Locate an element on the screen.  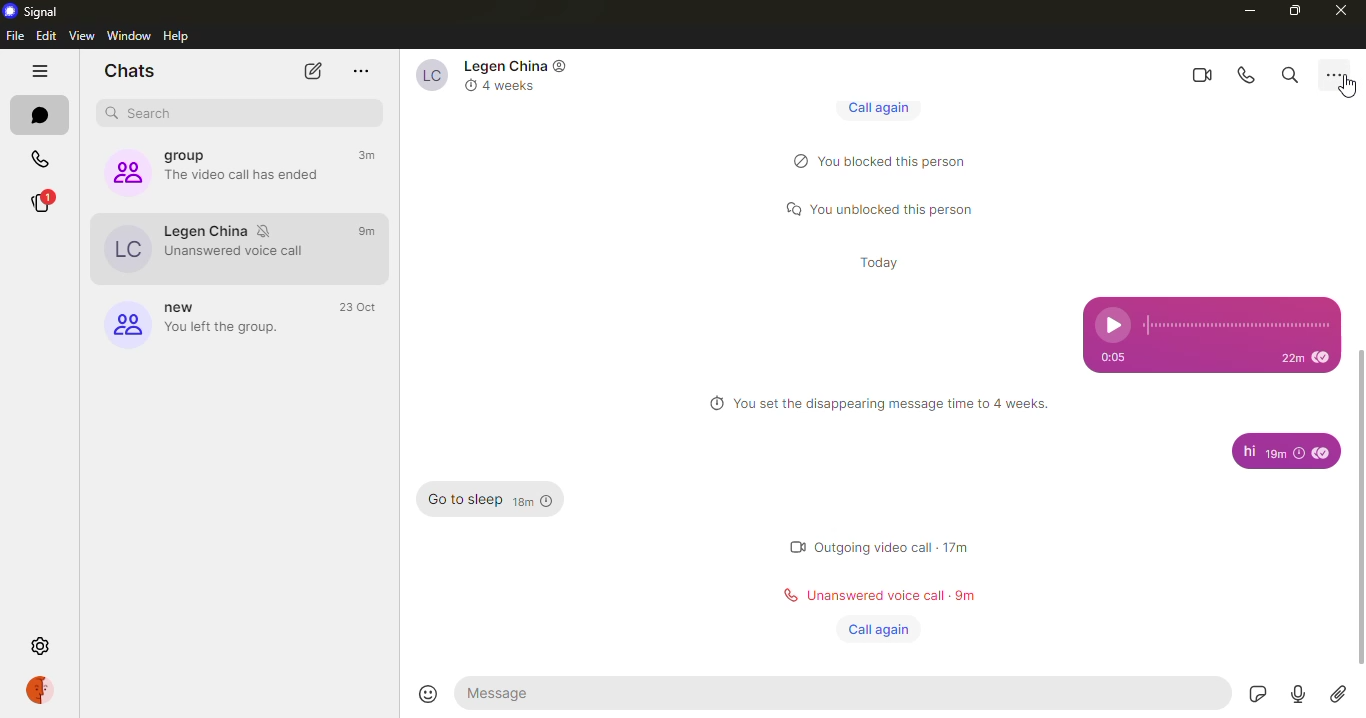
attach is located at coordinates (1339, 692).